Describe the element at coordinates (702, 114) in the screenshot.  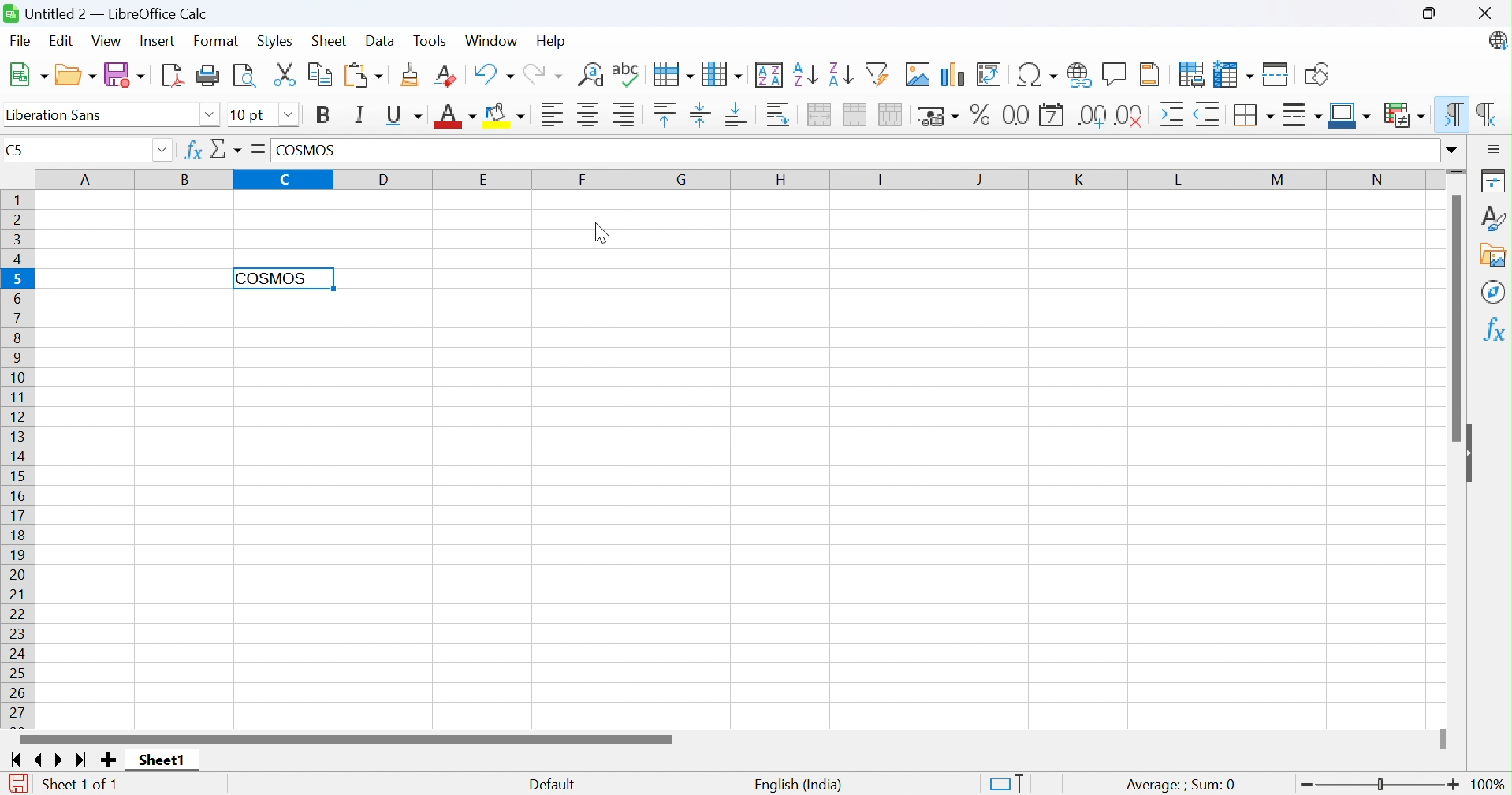
I see `Align vertically` at that location.